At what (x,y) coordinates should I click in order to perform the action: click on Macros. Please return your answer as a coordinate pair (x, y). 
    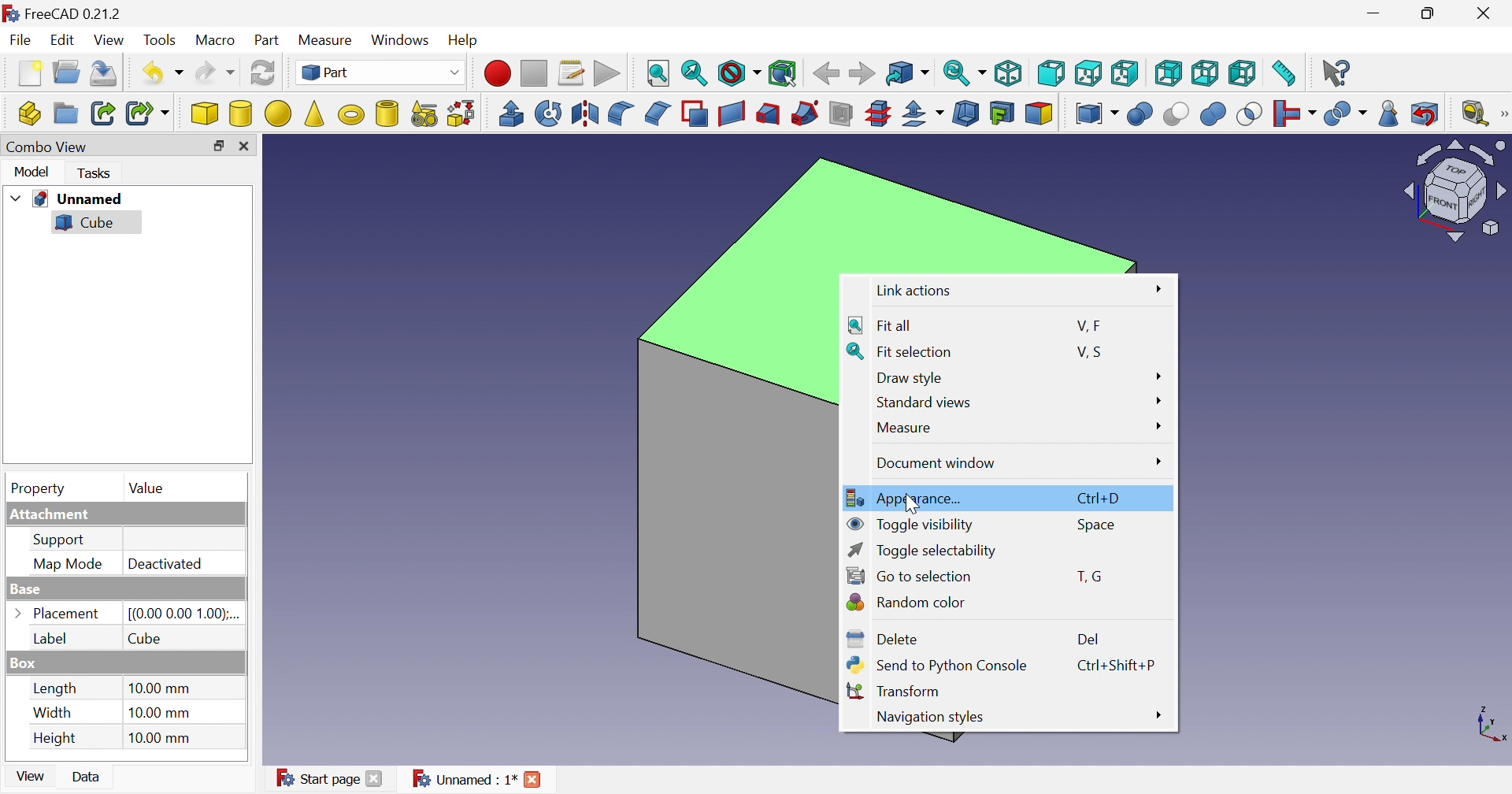
    Looking at the image, I should click on (573, 74).